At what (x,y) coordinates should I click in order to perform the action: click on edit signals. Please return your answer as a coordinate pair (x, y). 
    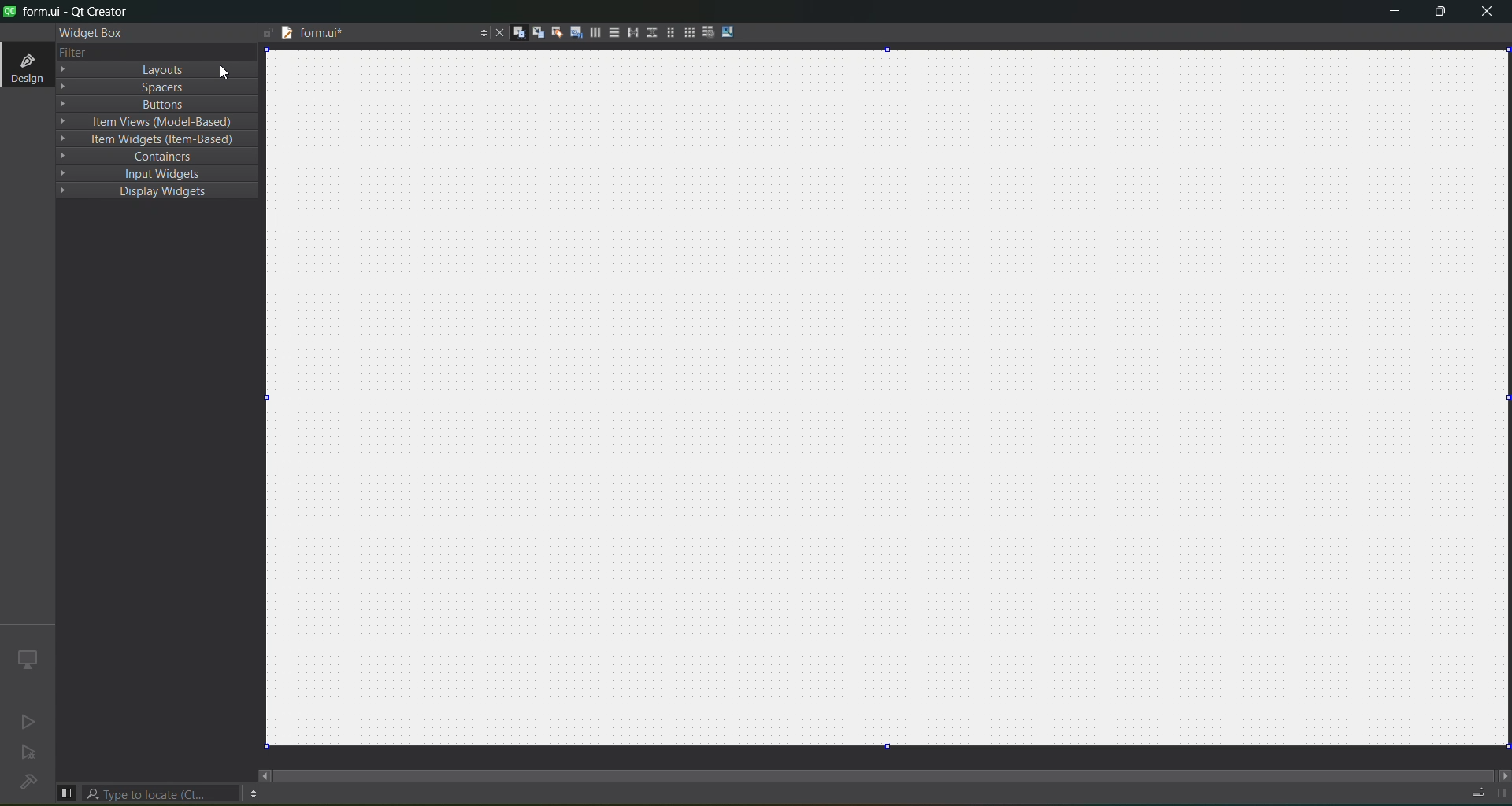
    Looking at the image, I should click on (538, 35).